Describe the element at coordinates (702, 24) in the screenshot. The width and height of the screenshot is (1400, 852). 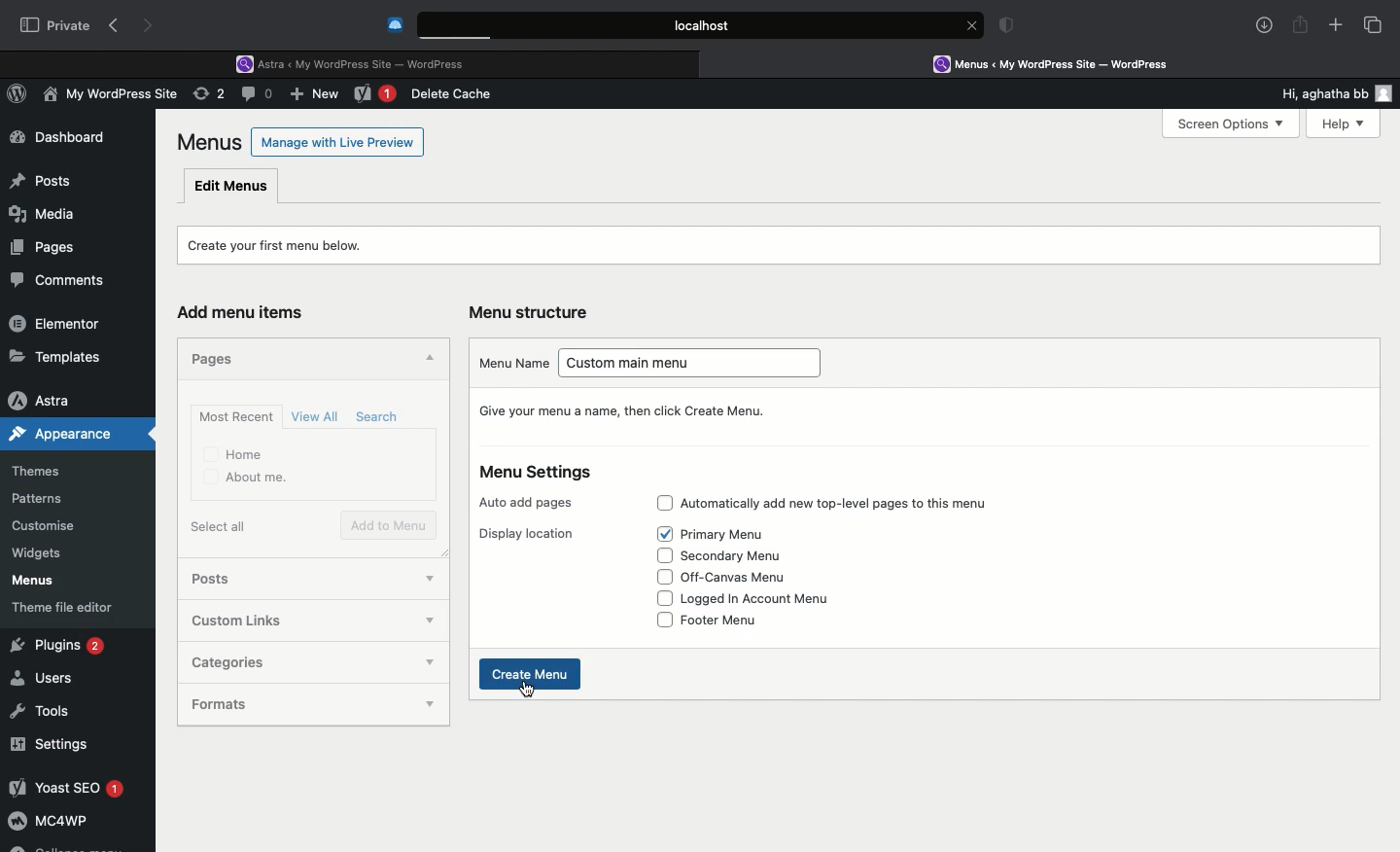
I see `Local.host` at that location.